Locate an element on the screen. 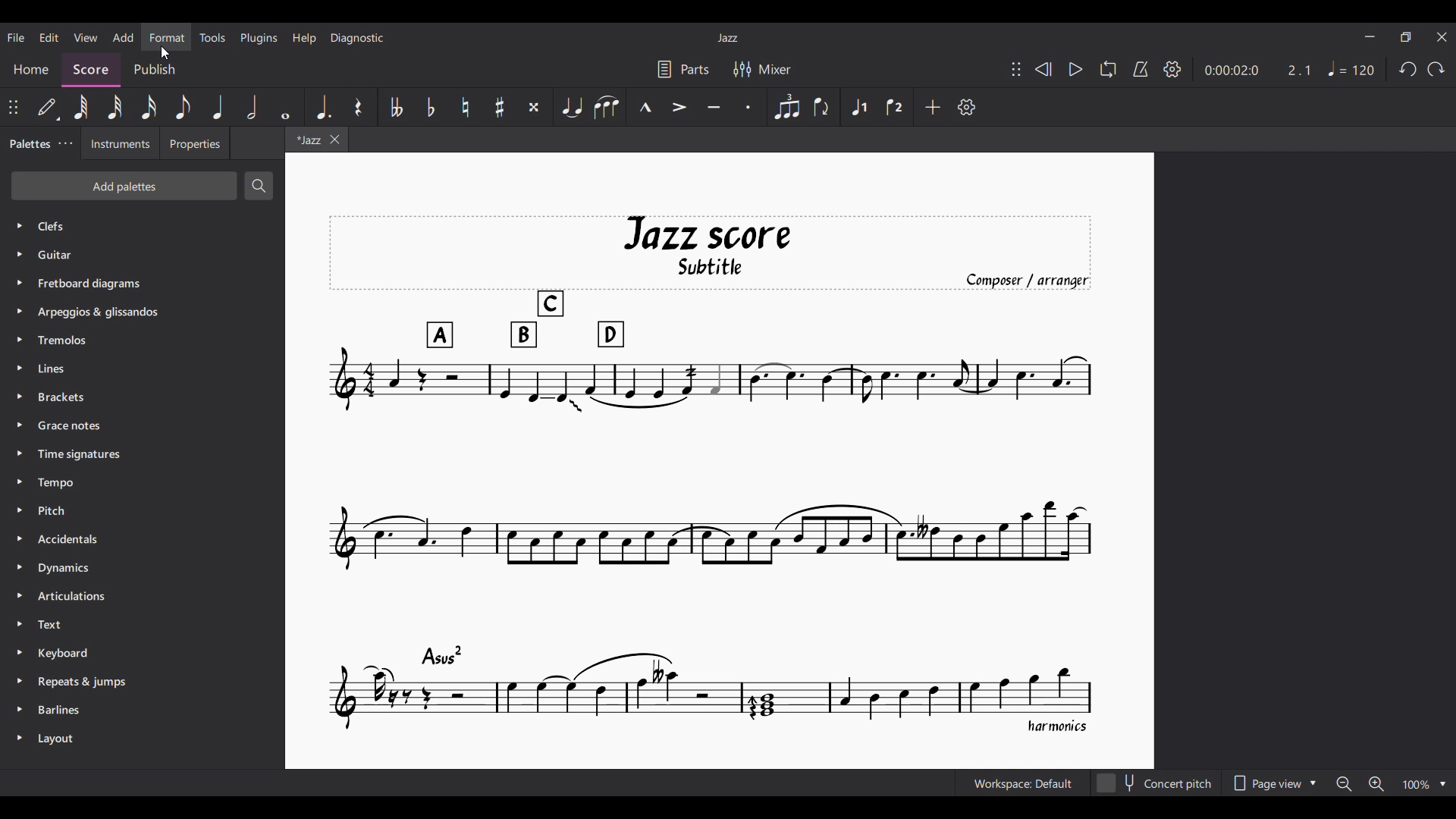 Image resolution: width=1456 pixels, height=819 pixels. Arpeggios is located at coordinates (101, 313).